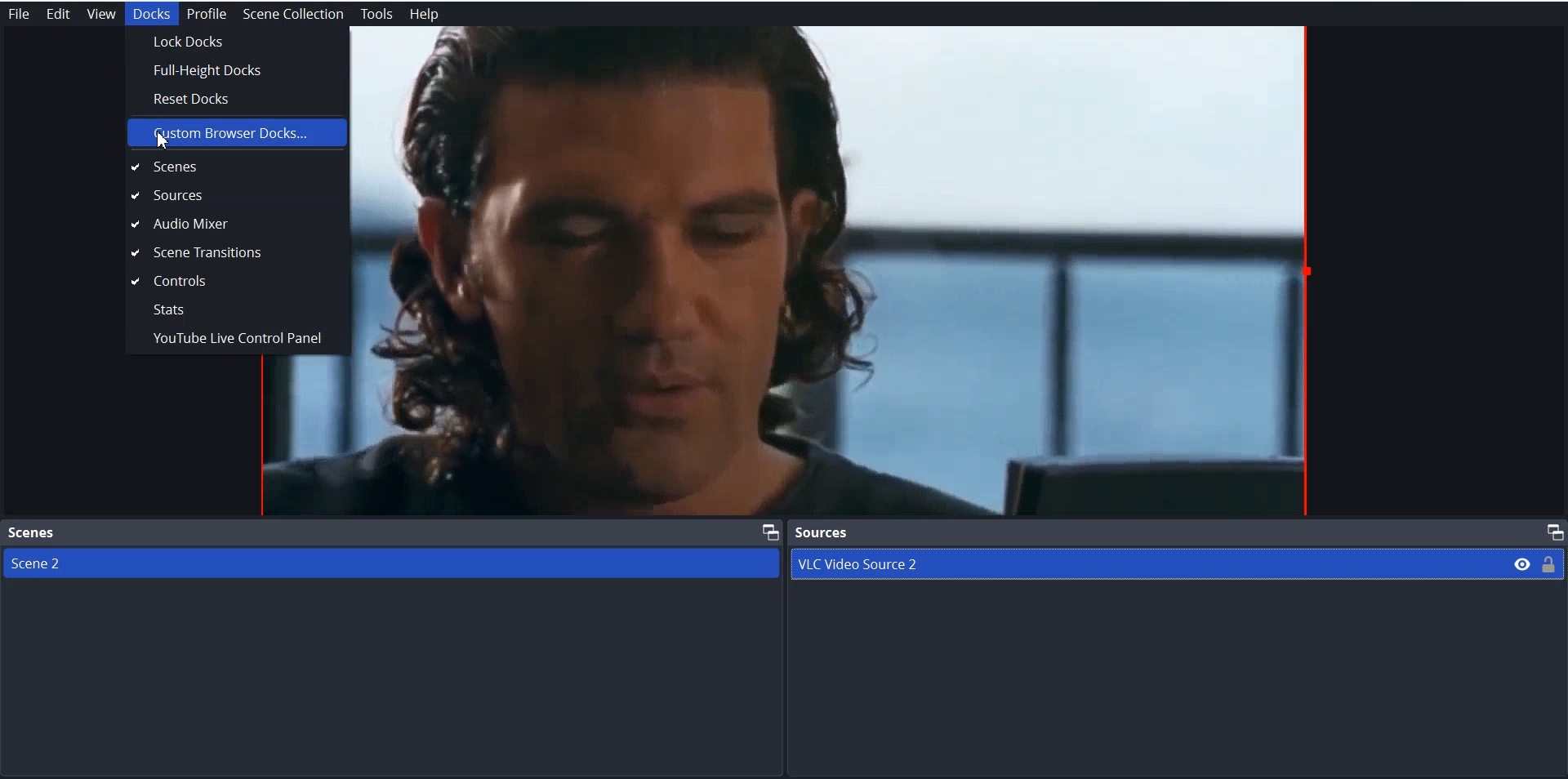  Describe the element at coordinates (305, 436) in the screenshot. I see `file preview window` at that location.